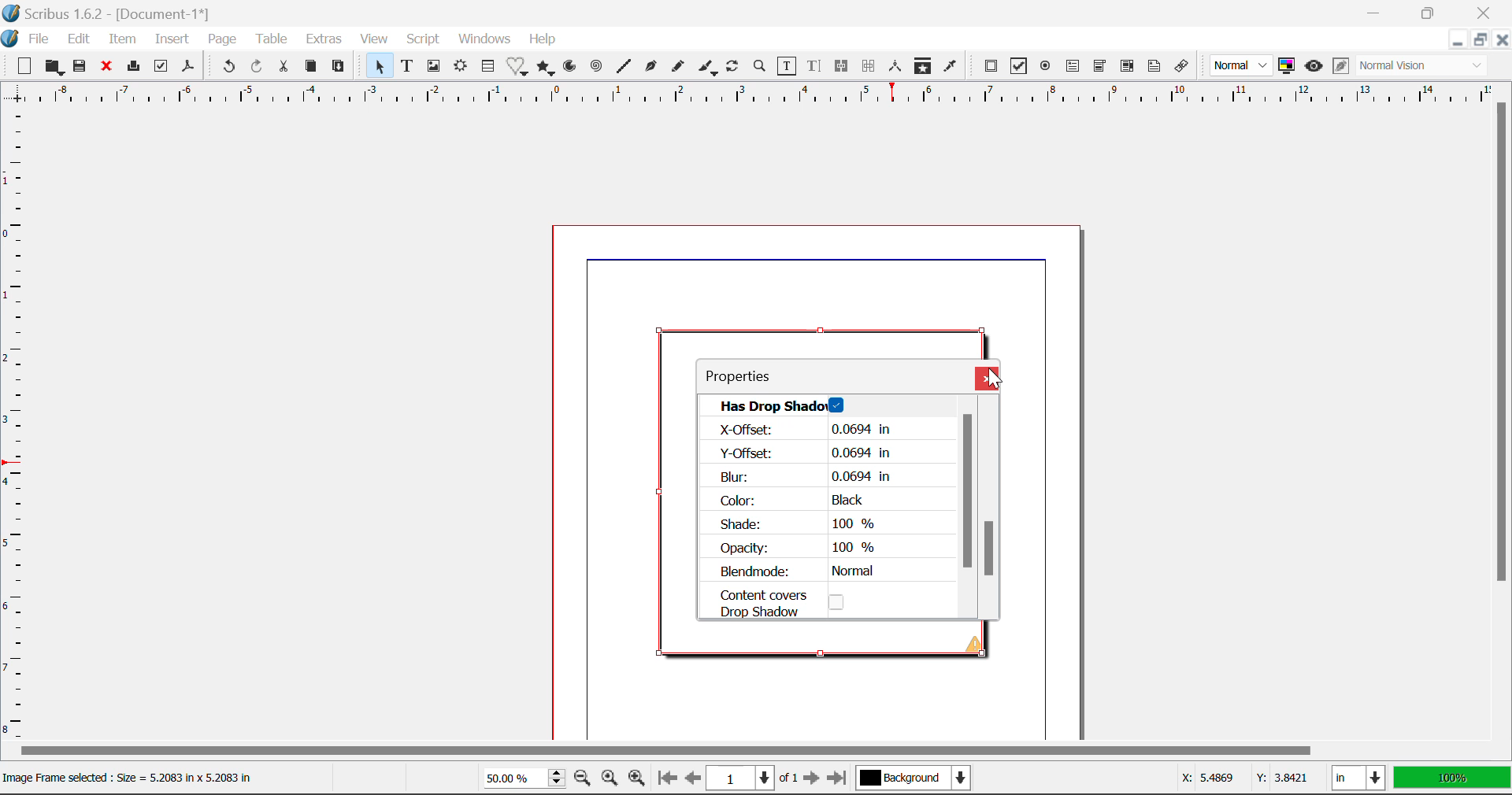  What do you see at coordinates (795, 602) in the screenshot?
I see `Content CoversDrop Shadow Option` at bounding box center [795, 602].